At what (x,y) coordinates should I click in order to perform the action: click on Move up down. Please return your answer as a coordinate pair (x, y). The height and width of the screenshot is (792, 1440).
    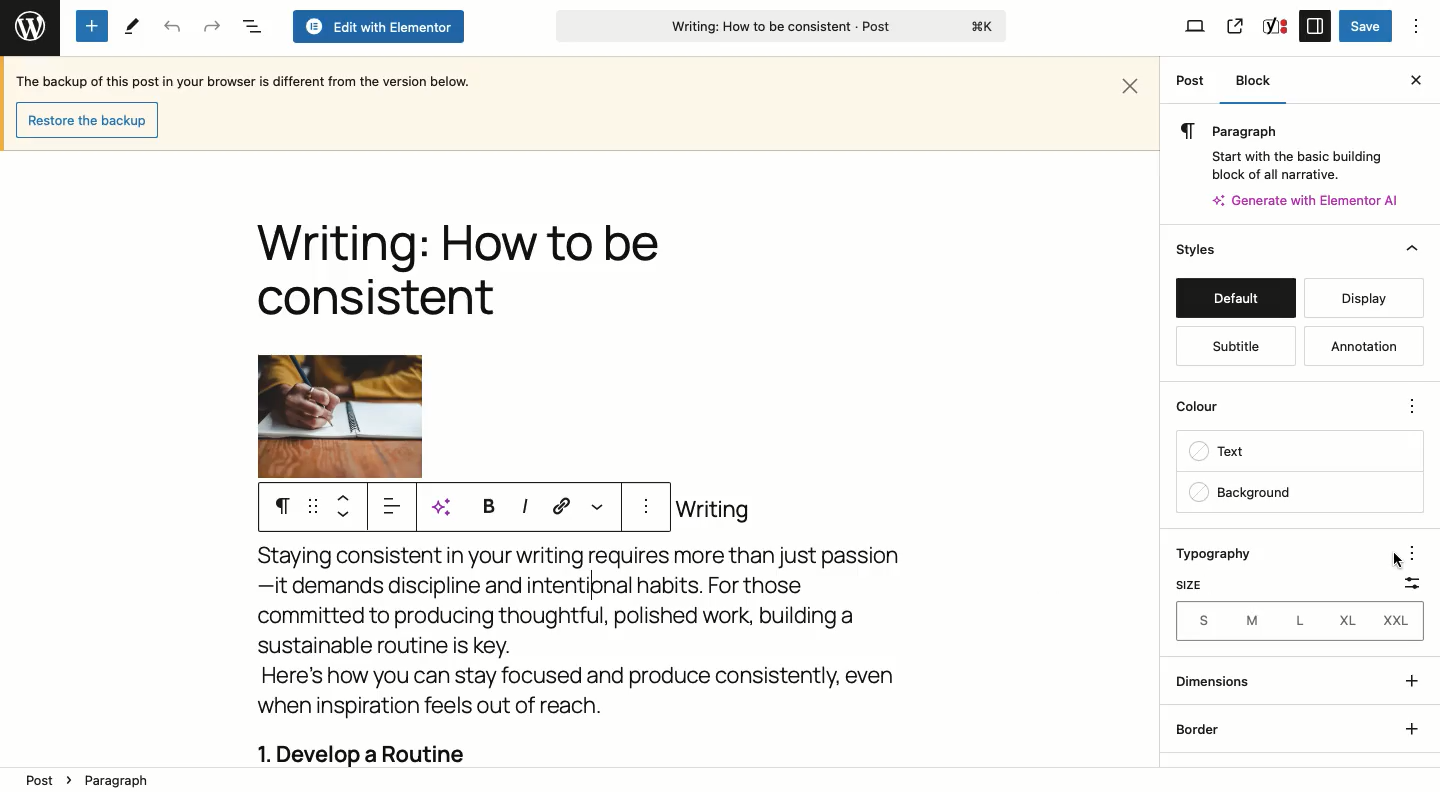
    Looking at the image, I should click on (348, 506).